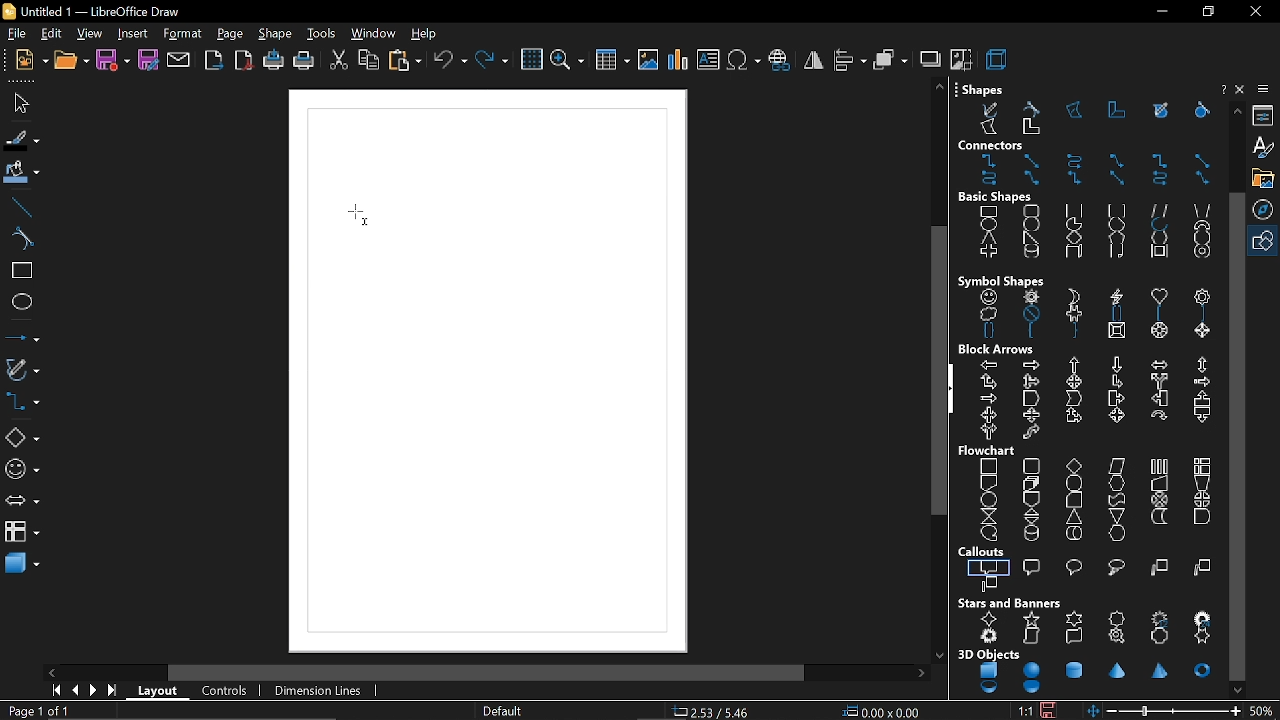 This screenshot has height=720, width=1280. I want to click on 4 way arrow callout, so click(1115, 416).